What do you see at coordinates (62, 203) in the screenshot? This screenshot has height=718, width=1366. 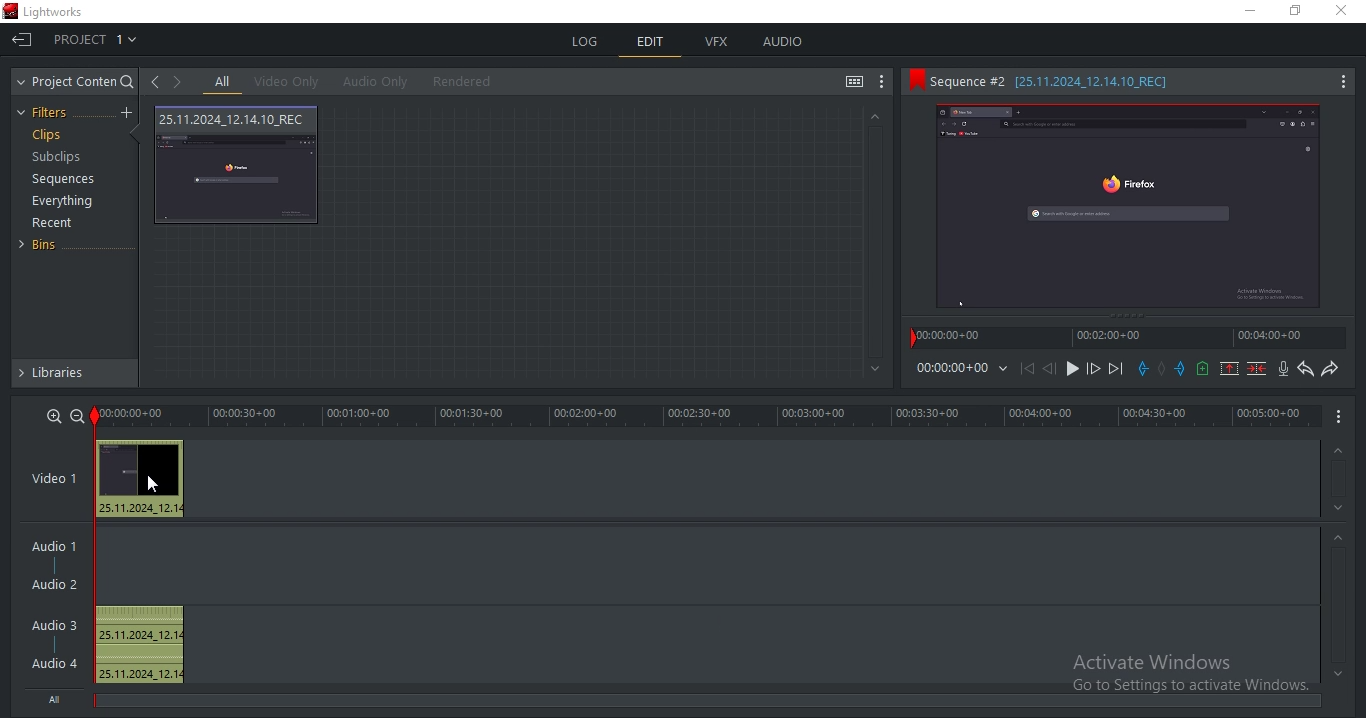 I see `everything` at bounding box center [62, 203].